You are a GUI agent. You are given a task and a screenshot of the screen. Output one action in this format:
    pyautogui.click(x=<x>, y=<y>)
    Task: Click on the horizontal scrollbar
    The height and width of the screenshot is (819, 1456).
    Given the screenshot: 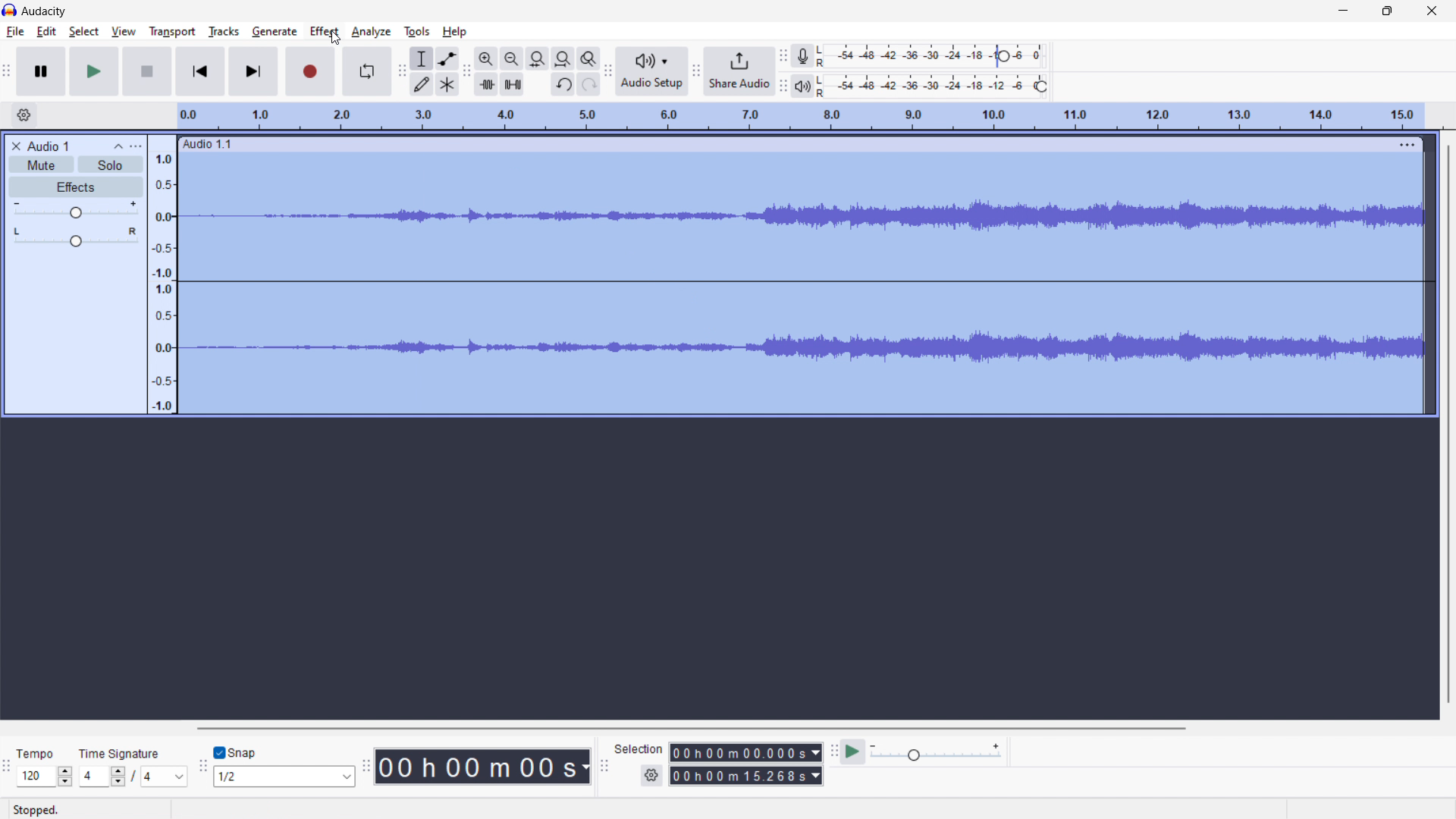 What is the action you would take?
    pyautogui.click(x=692, y=729)
    